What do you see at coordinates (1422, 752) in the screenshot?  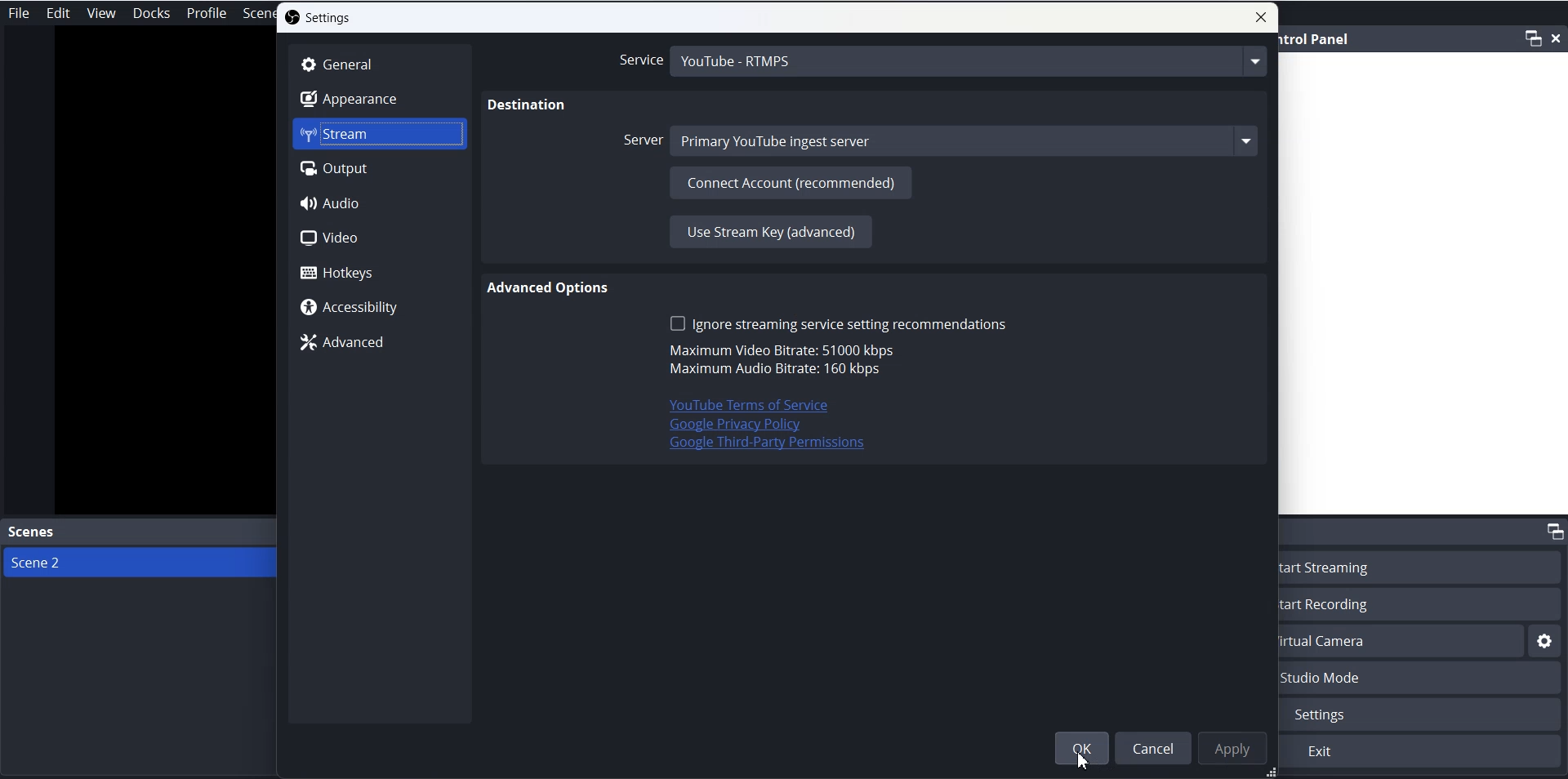 I see `Exit` at bounding box center [1422, 752].